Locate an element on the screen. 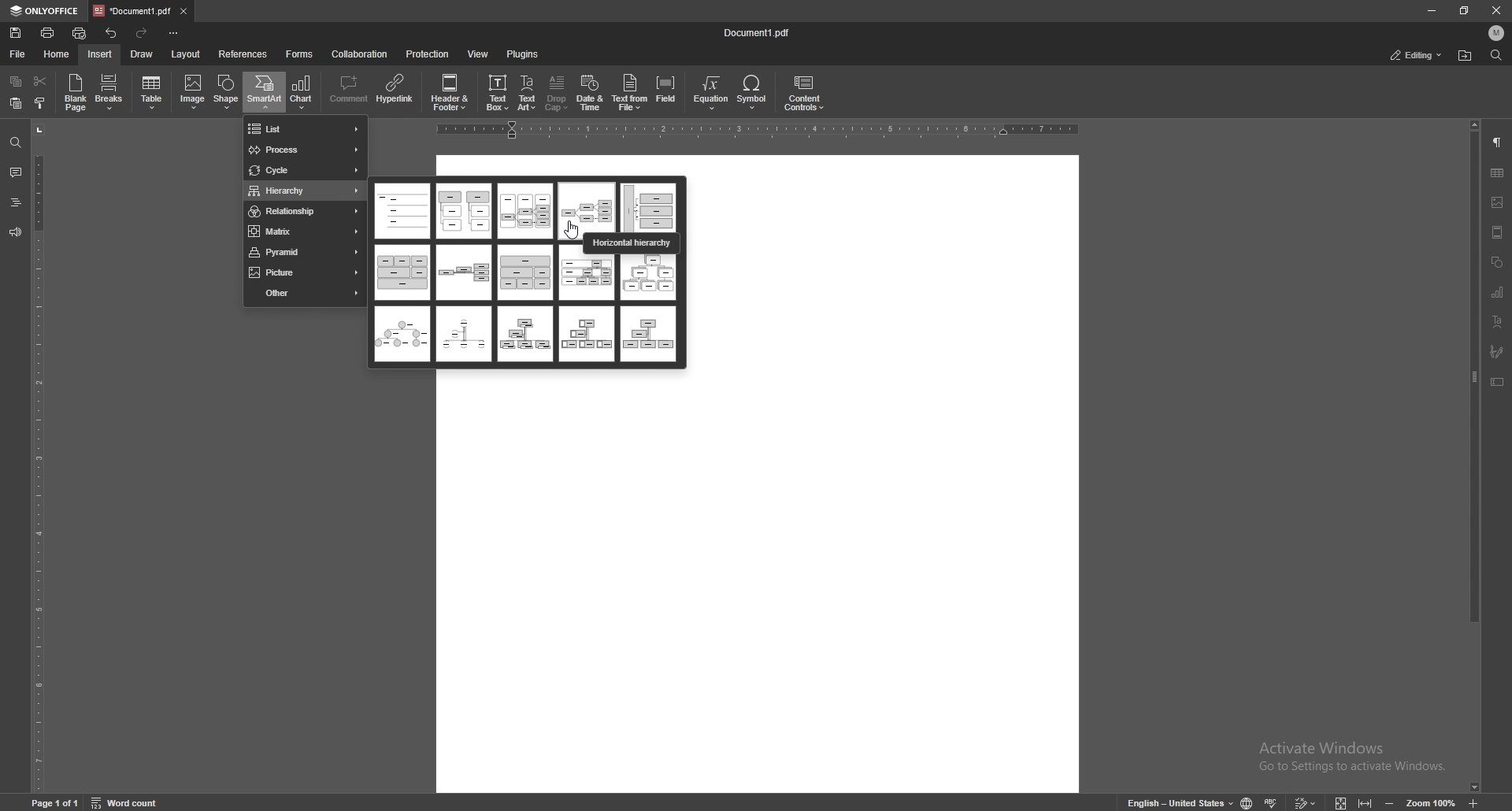  draw is located at coordinates (143, 54).